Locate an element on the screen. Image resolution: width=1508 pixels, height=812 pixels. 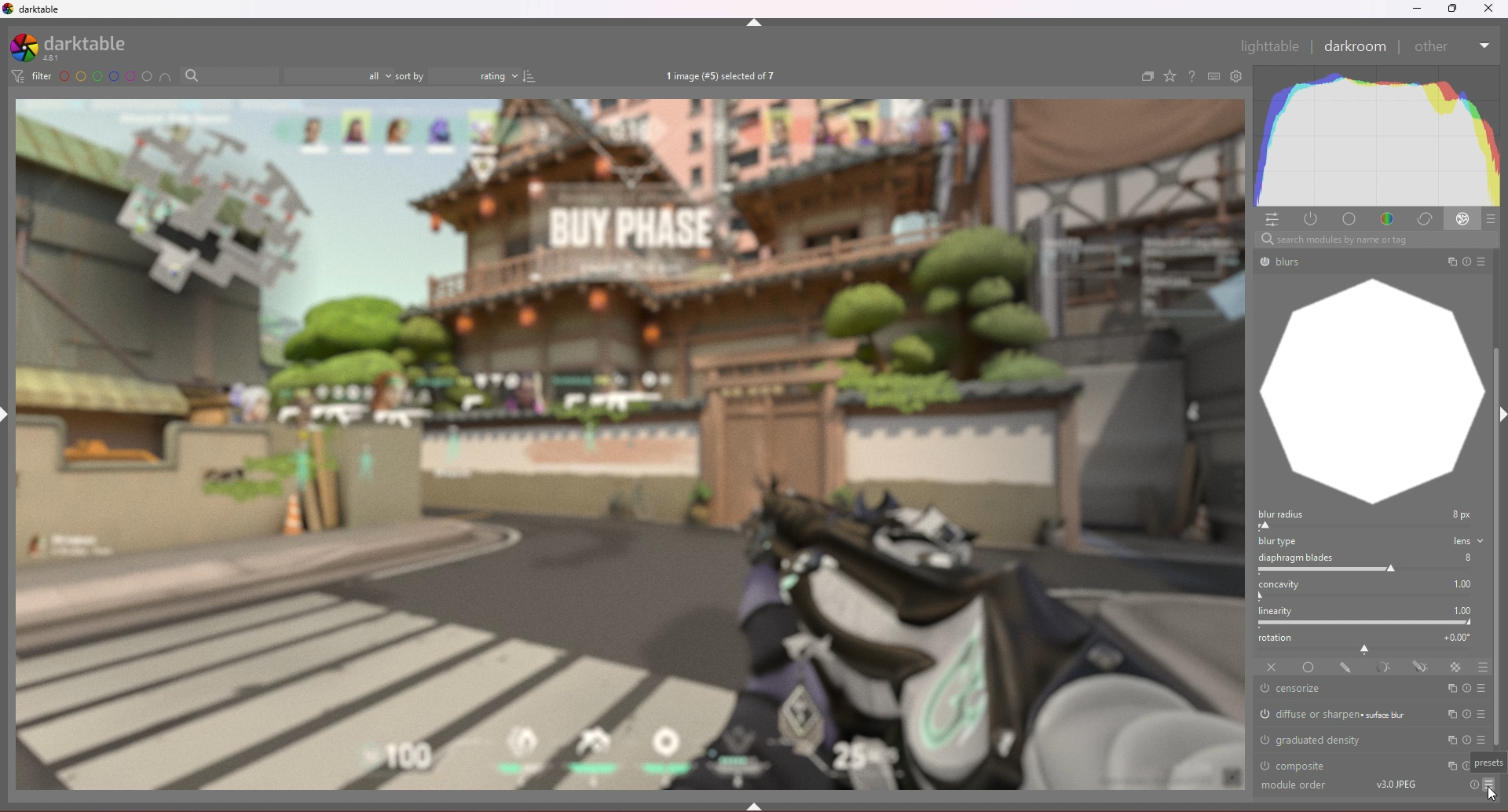
blending options is located at coordinates (1483, 668).